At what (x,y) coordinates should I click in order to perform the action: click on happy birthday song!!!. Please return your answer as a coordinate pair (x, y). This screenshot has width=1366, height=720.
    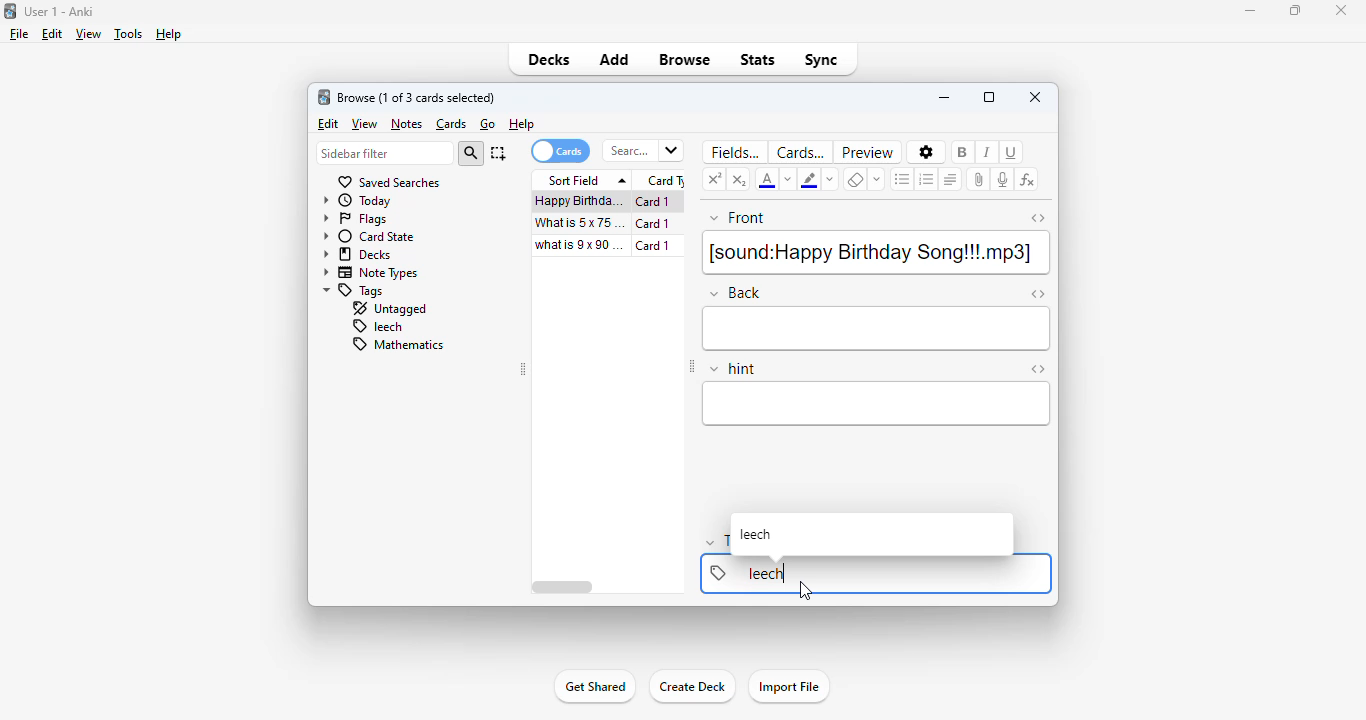
    Looking at the image, I should click on (579, 201).